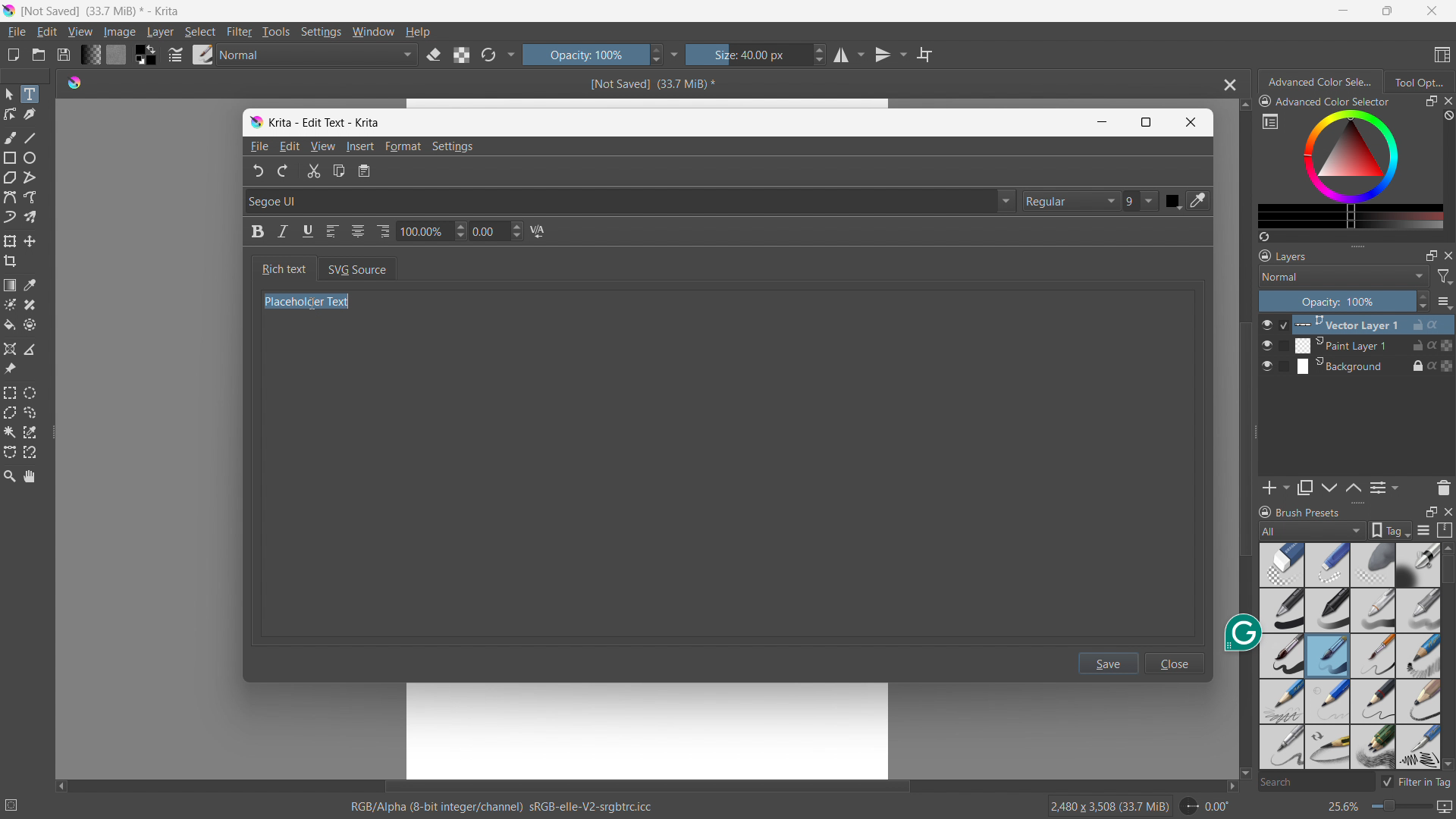 Image resolution: width=1456 pixels, height=819 pixels. Describe the element at coordinates (352, 302) in the screenshot. I see `Cursor` at that location.